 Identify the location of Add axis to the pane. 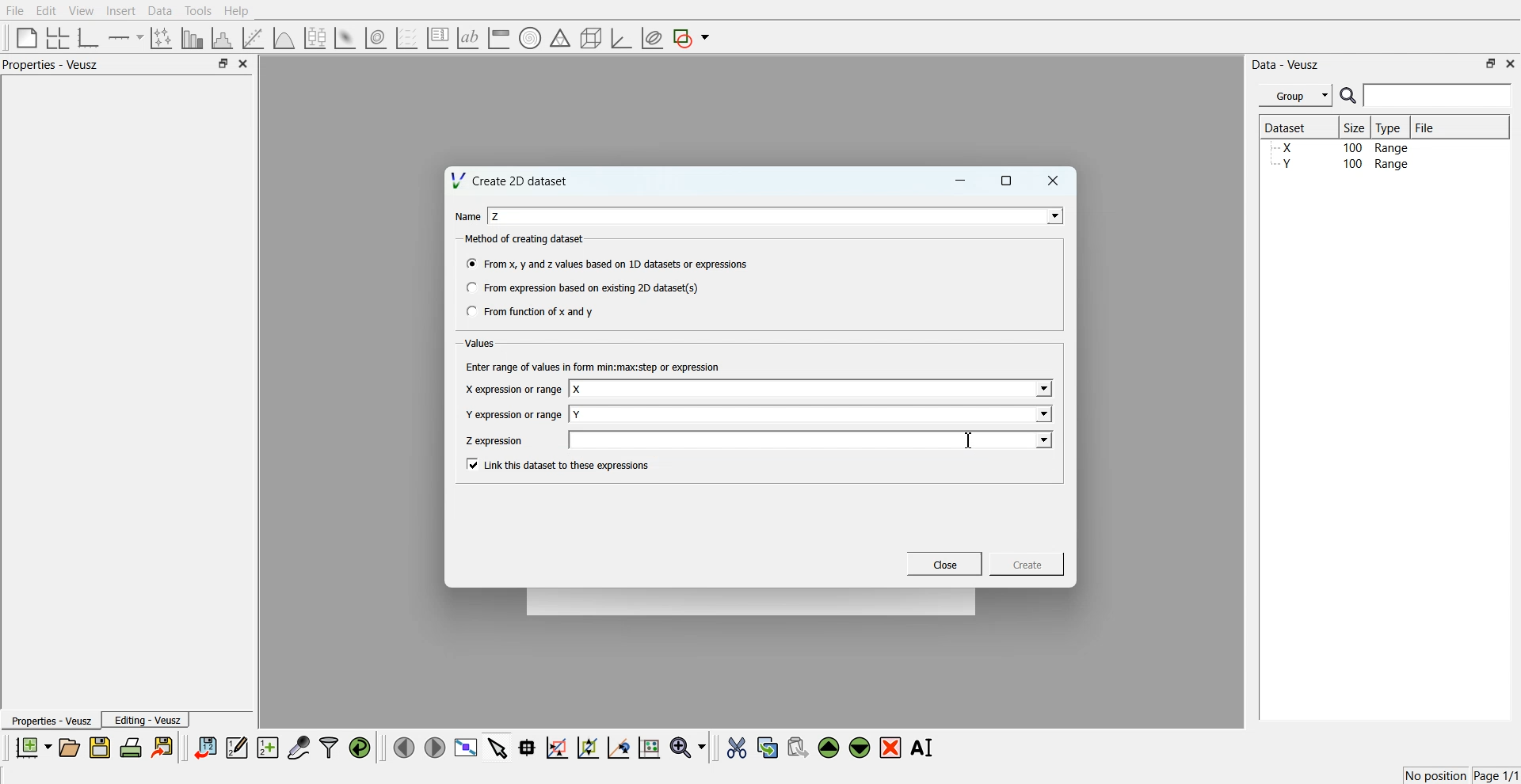
(125, 39).